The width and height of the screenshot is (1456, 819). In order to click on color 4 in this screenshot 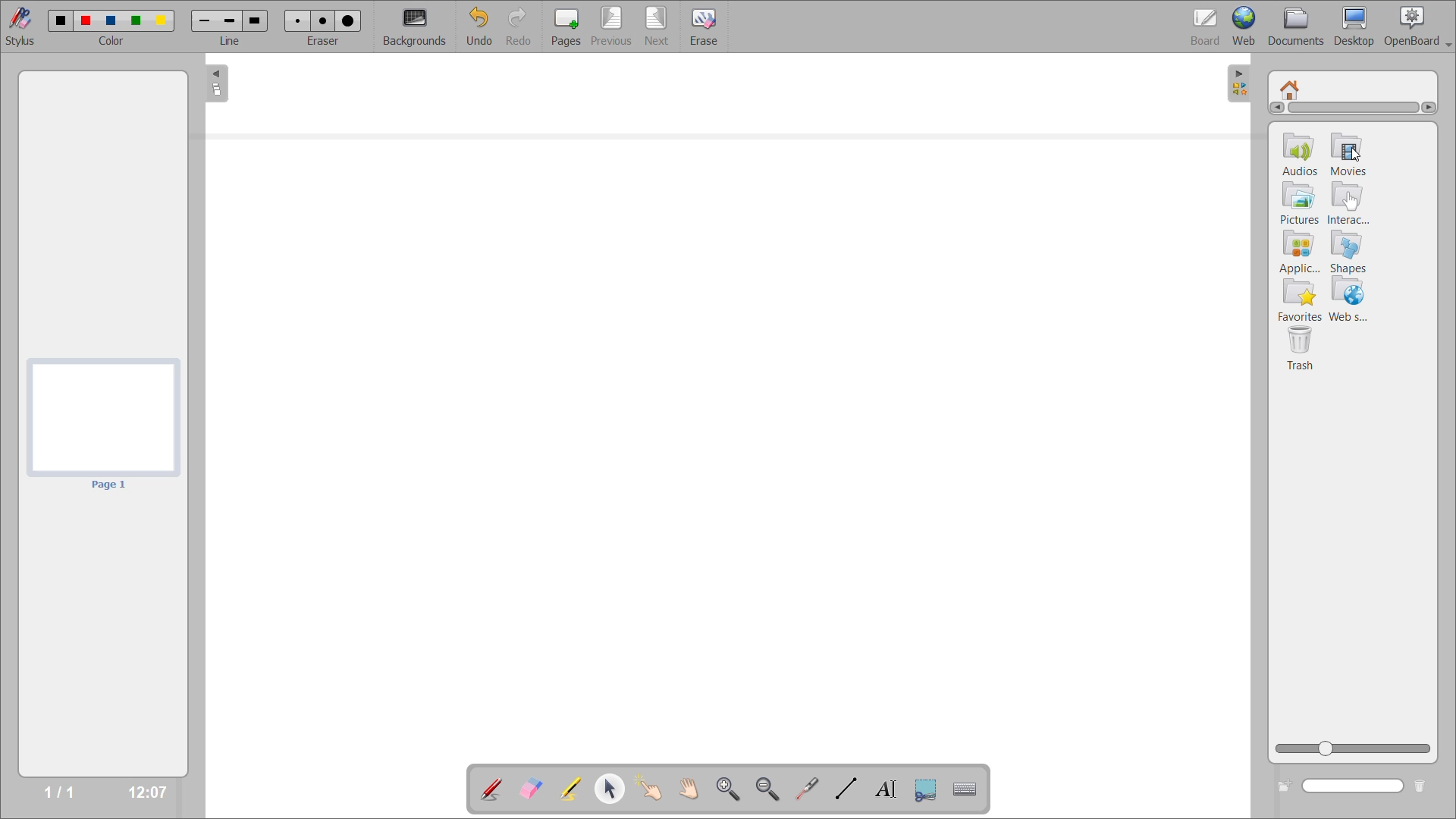, I will do `click(137, 22)`.